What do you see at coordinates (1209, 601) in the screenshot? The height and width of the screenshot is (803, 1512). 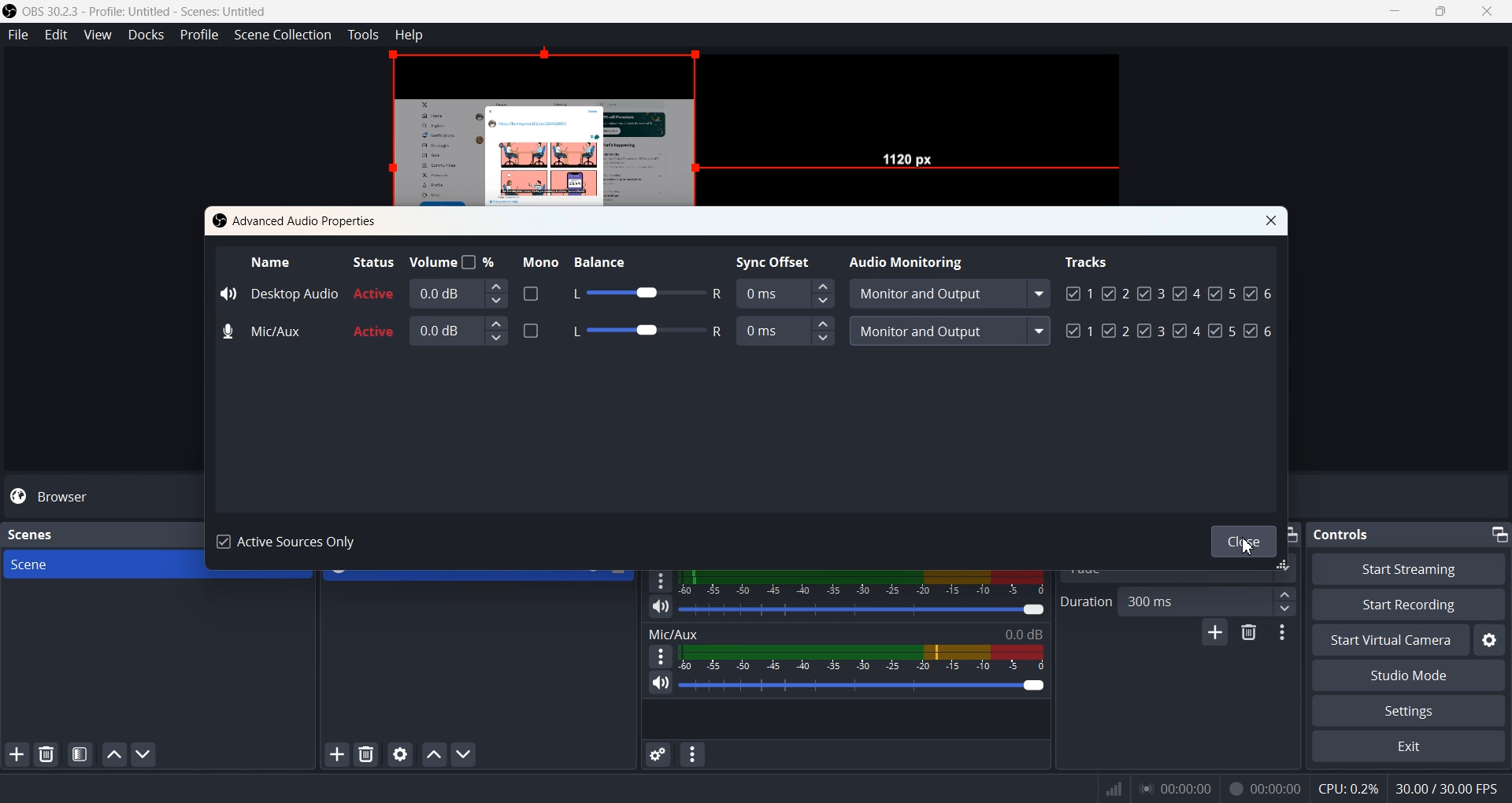 I see `300 ms` at bounding box center [1209, 601].